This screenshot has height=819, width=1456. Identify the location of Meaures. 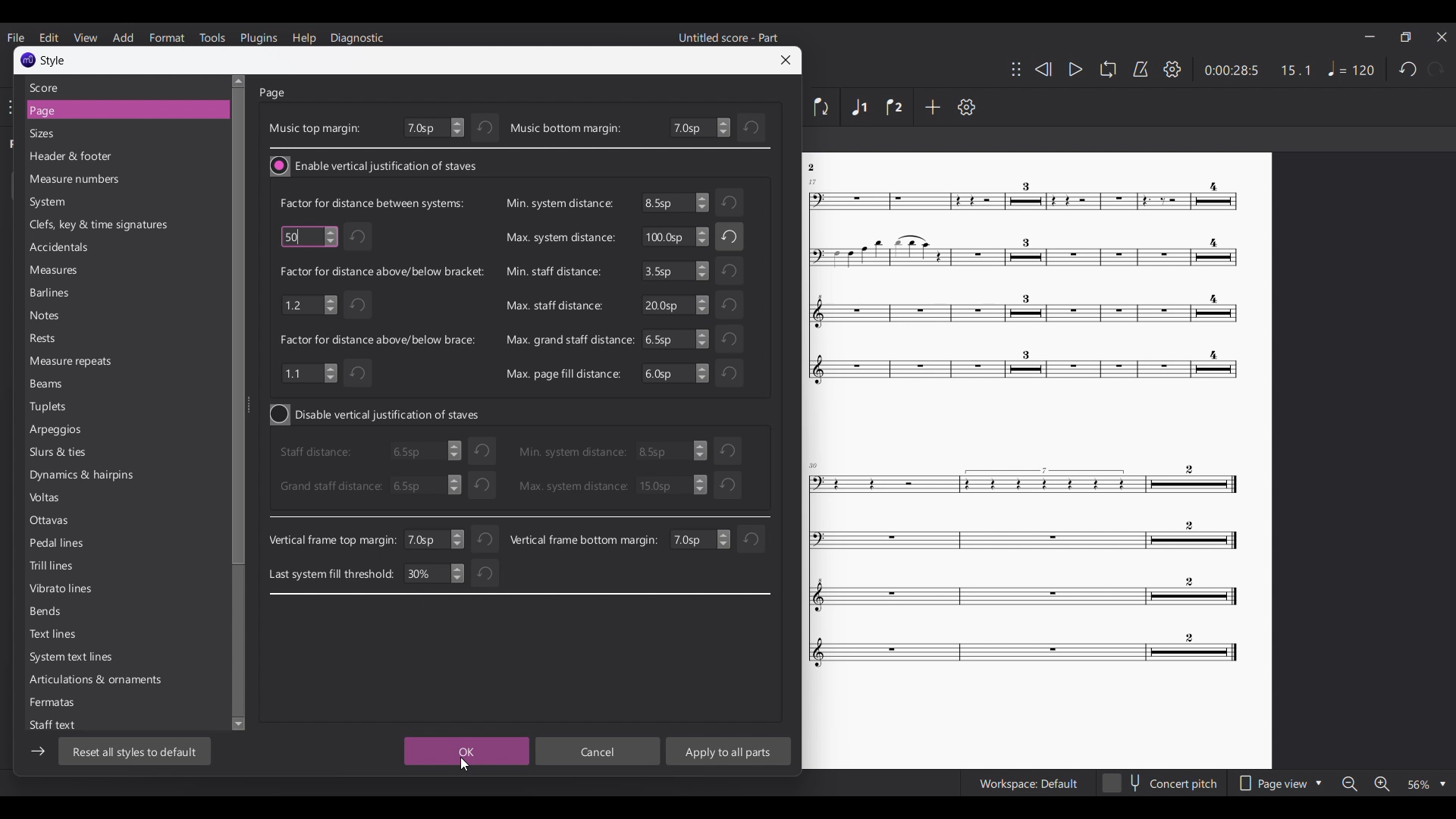
(92, 273).